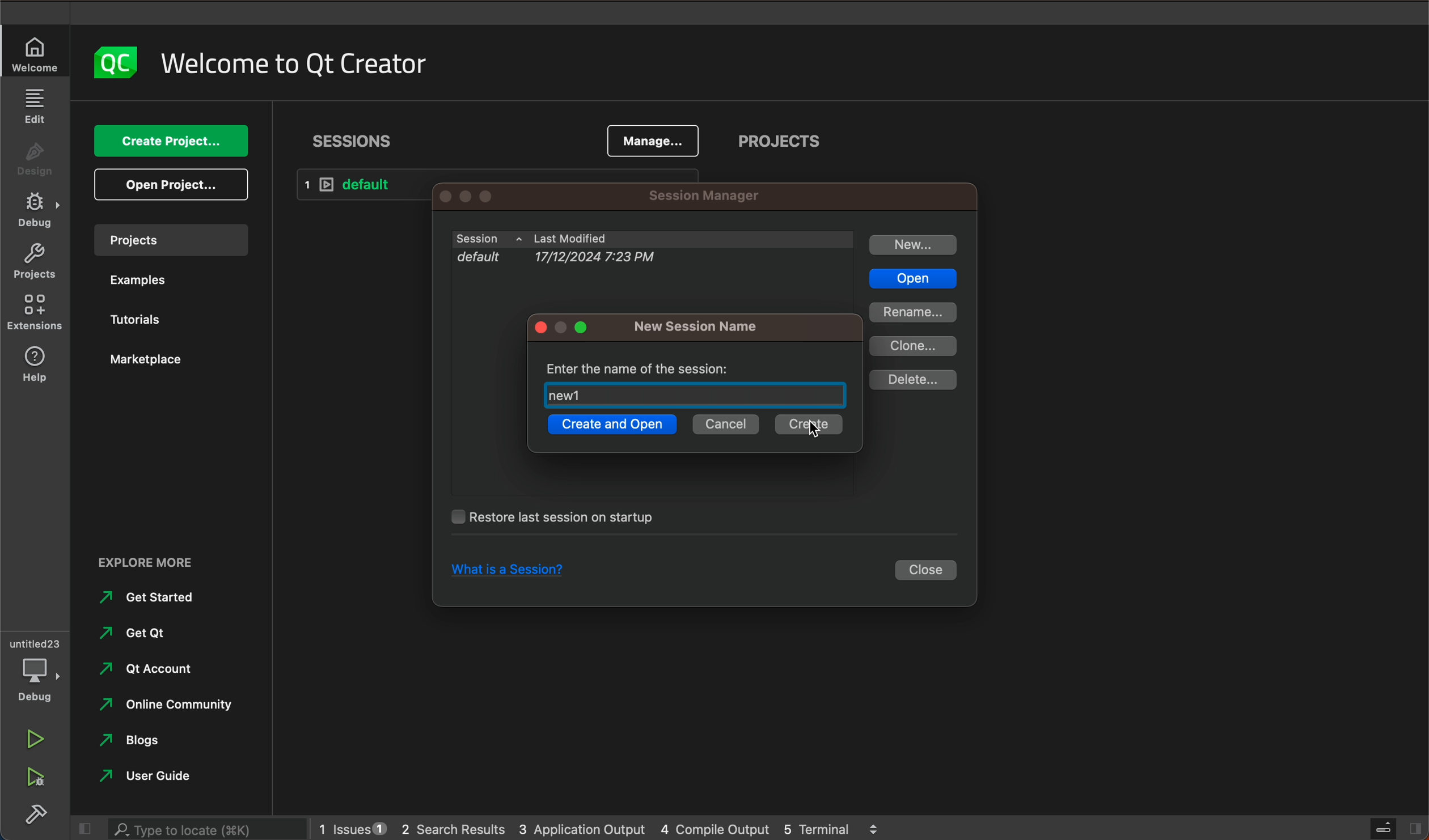 The height and width of the screenshot is (840, 1429). What do you see at coordinates (39, 680) in the screenshot?
I see `debug` at bounding box center [39, 680].